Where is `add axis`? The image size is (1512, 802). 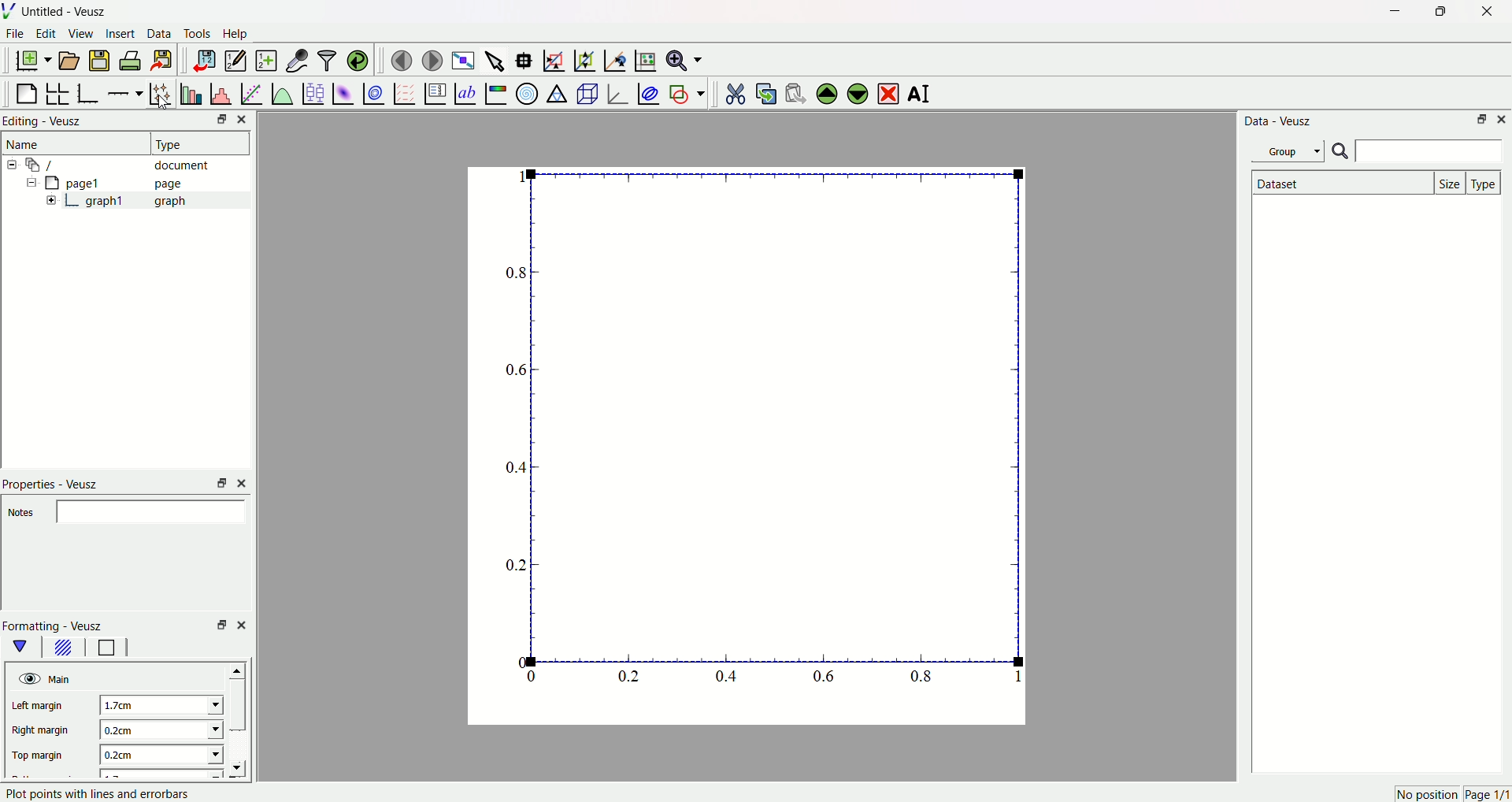
add axis is located at coordinates (125, 91).